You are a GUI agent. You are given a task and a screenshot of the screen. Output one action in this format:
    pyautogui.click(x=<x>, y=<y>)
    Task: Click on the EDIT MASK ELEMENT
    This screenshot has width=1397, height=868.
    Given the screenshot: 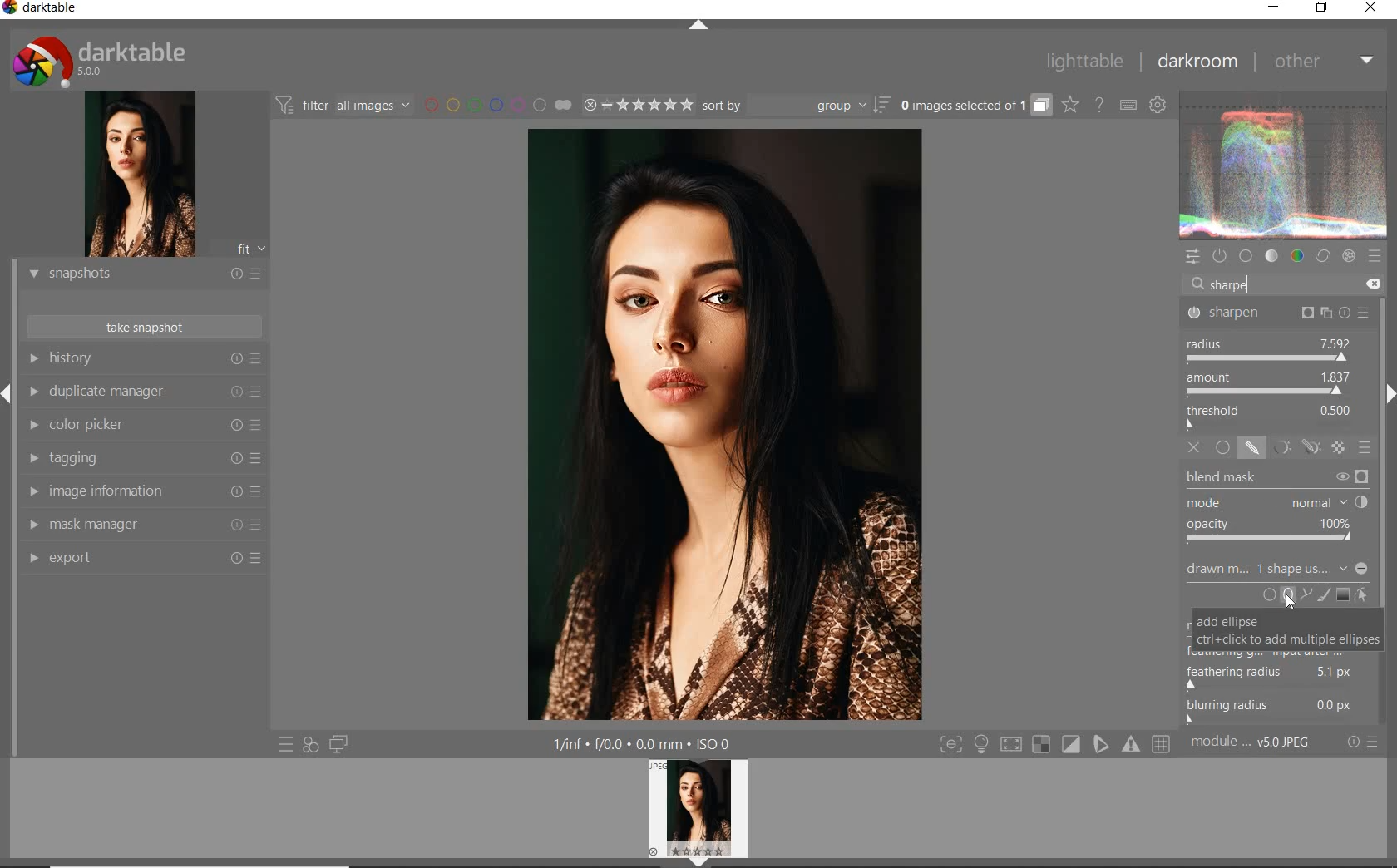 What is the action you would take?
    pyautogui.click(x=1364, y=594)
    